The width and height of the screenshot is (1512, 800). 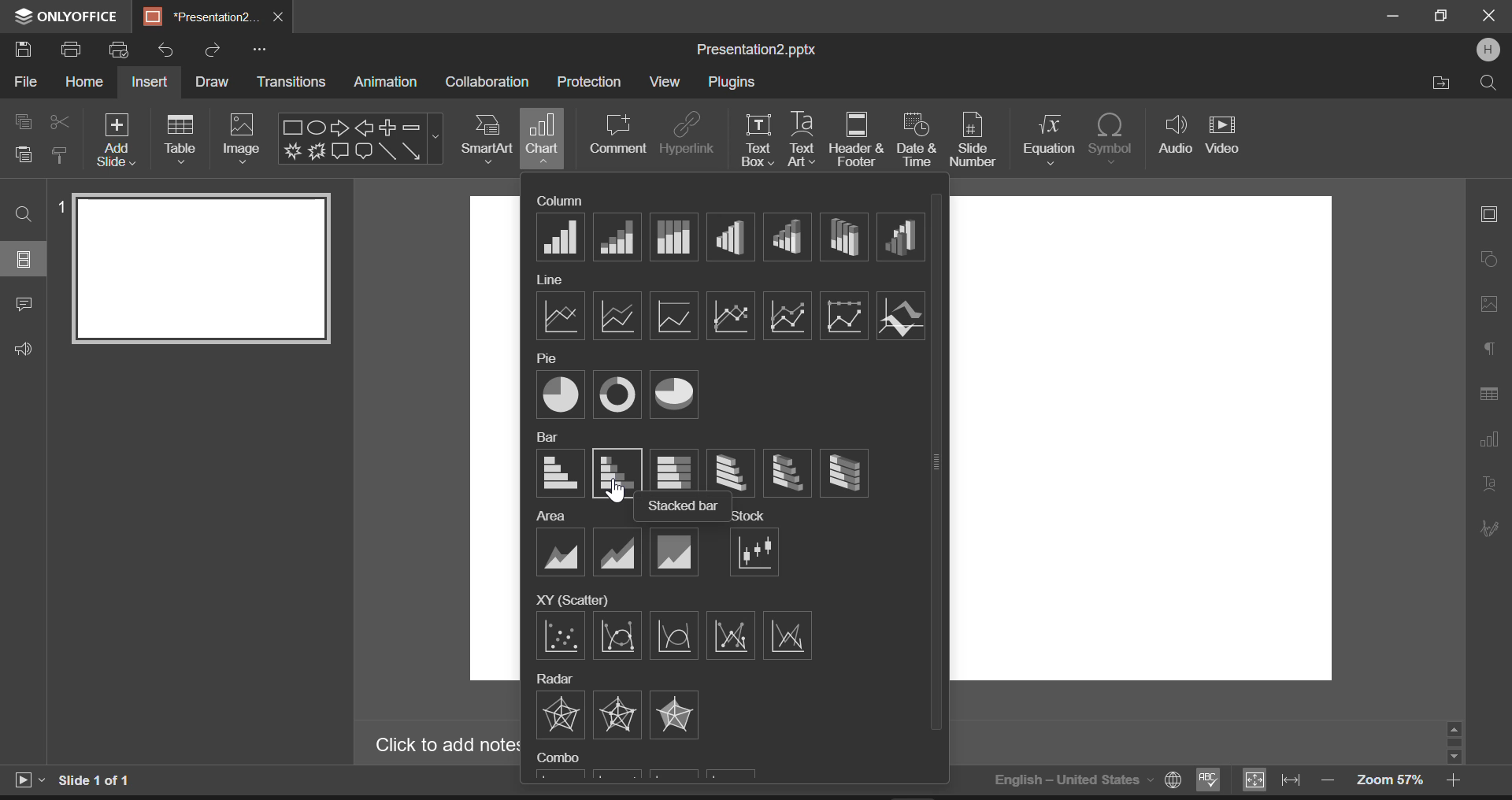 What do you see at coordinates (856, 139) in the screenshot?
I see `Header & Footer` at bounding box center [856, 139].